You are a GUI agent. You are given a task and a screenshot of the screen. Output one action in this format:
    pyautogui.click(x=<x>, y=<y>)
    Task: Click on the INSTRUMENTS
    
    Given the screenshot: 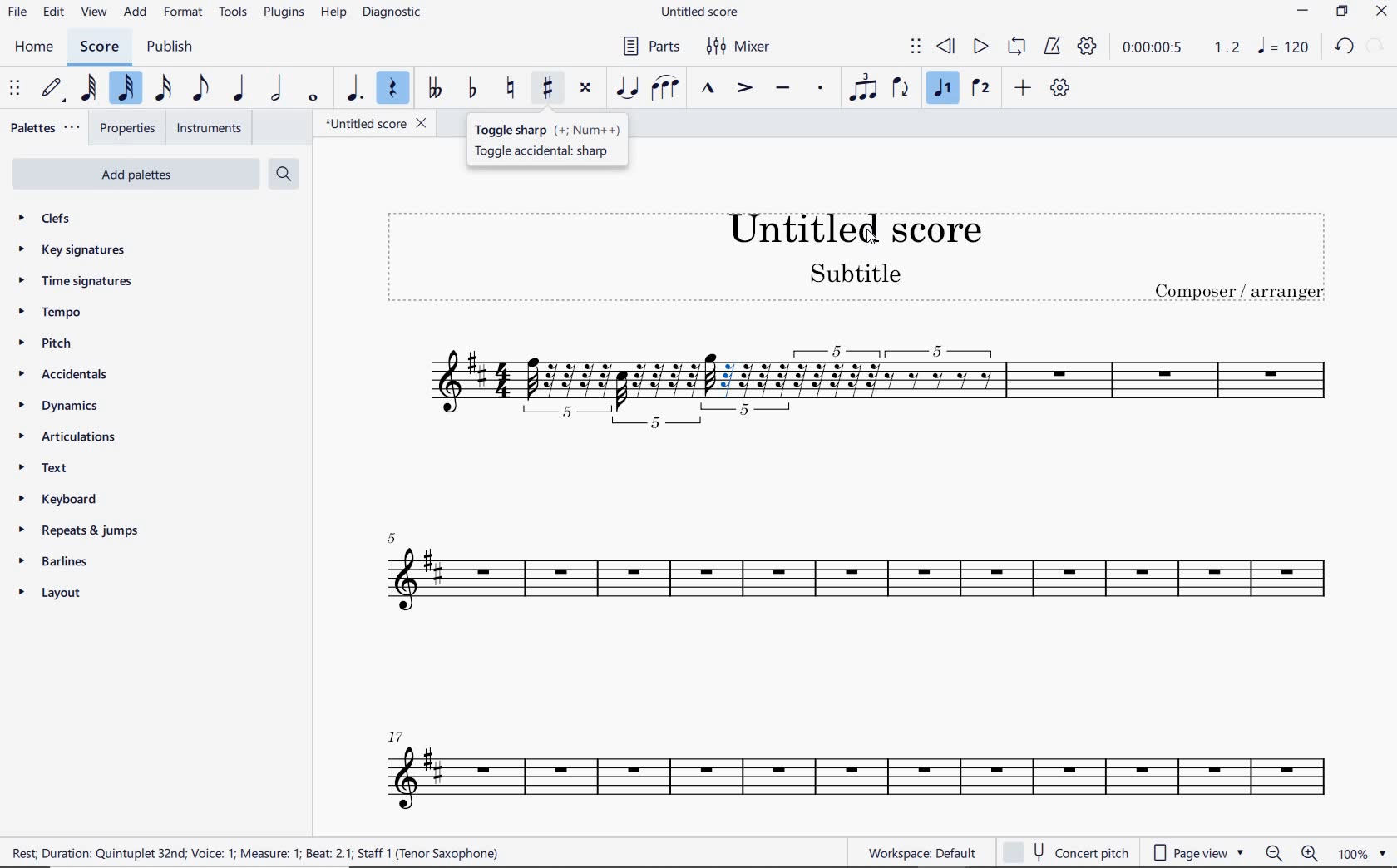 What is the action you would take?
    pyautogui.click(x=208, y=129)
    